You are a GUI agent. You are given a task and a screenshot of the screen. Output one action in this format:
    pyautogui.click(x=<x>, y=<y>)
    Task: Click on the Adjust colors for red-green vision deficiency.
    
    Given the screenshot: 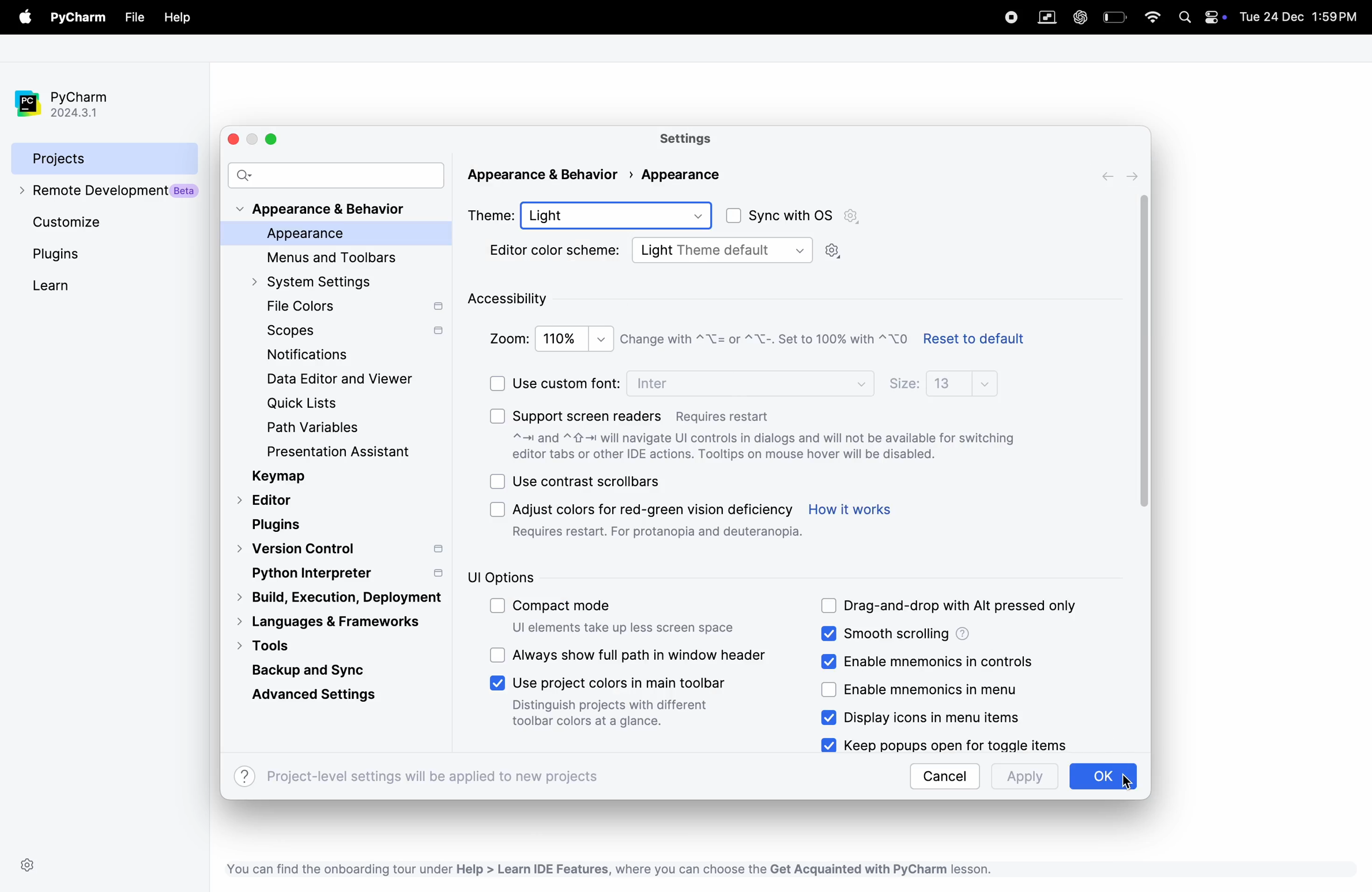 What is the action you would take?
    pyautogui.click(x=657, y=507)
    